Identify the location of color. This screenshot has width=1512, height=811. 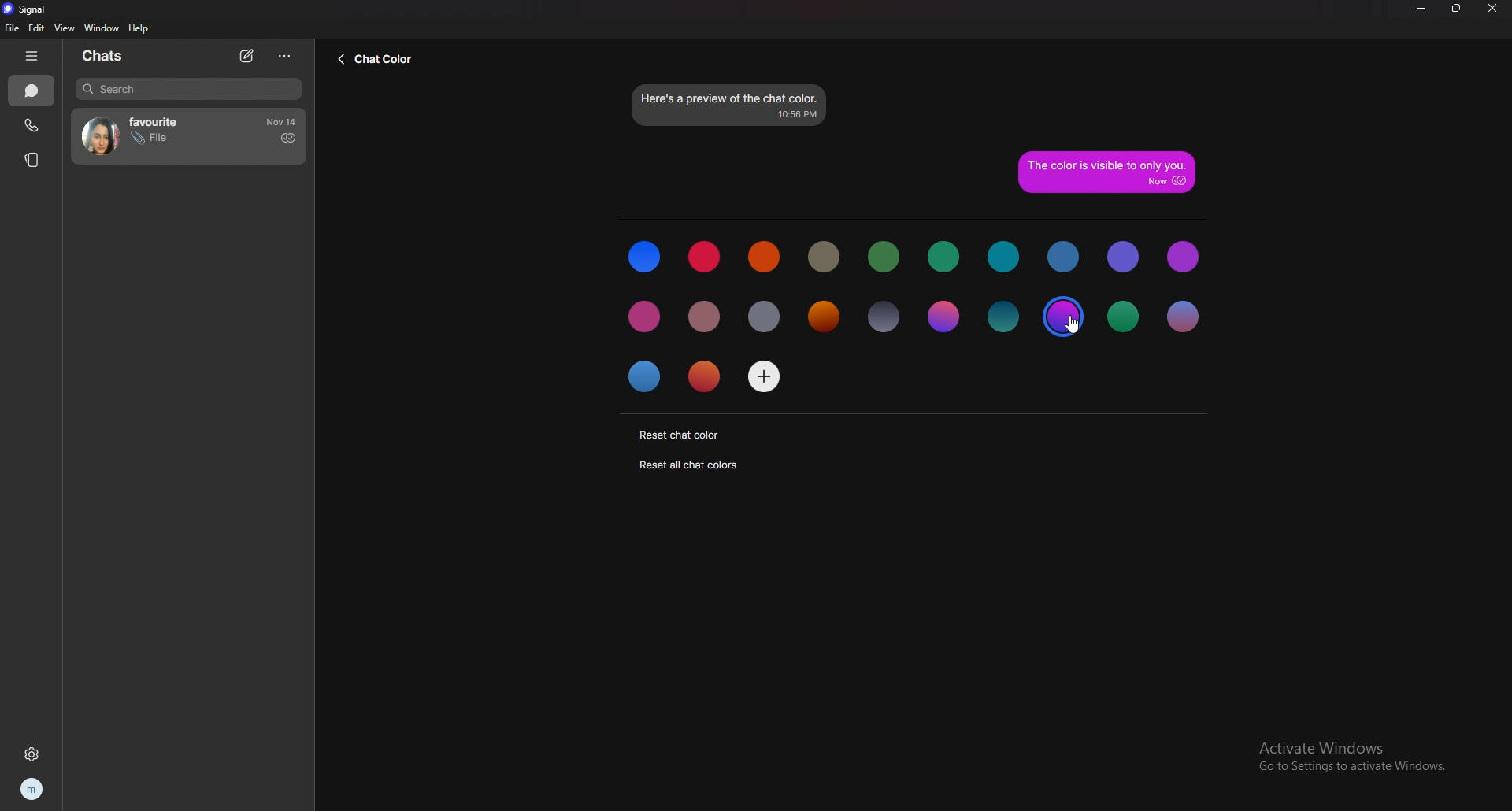
(706, 374).